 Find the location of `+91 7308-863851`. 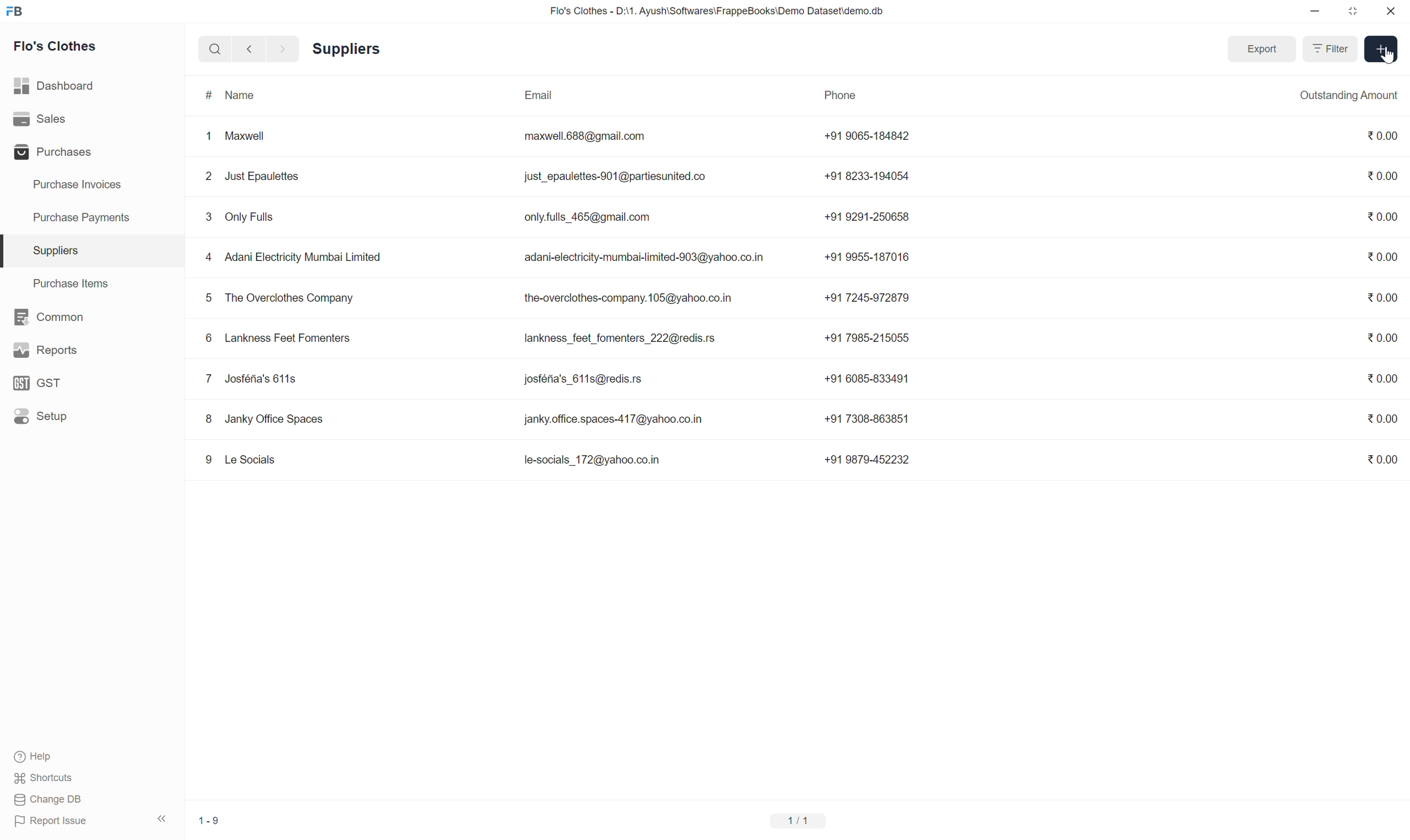

+91 7308-863851 is located at coordinates (868, 418).